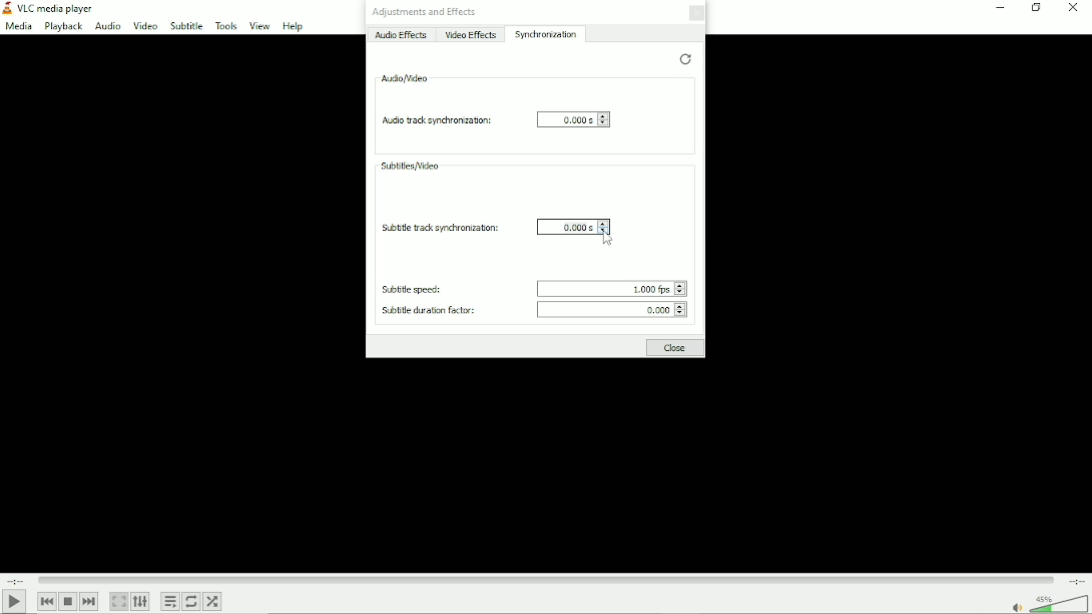 The height and width of the screenshot is (614, 1092). What do you see at coordinates (676, 348) in the screenshot?
I see `Close` at bounding box center [676, 348].